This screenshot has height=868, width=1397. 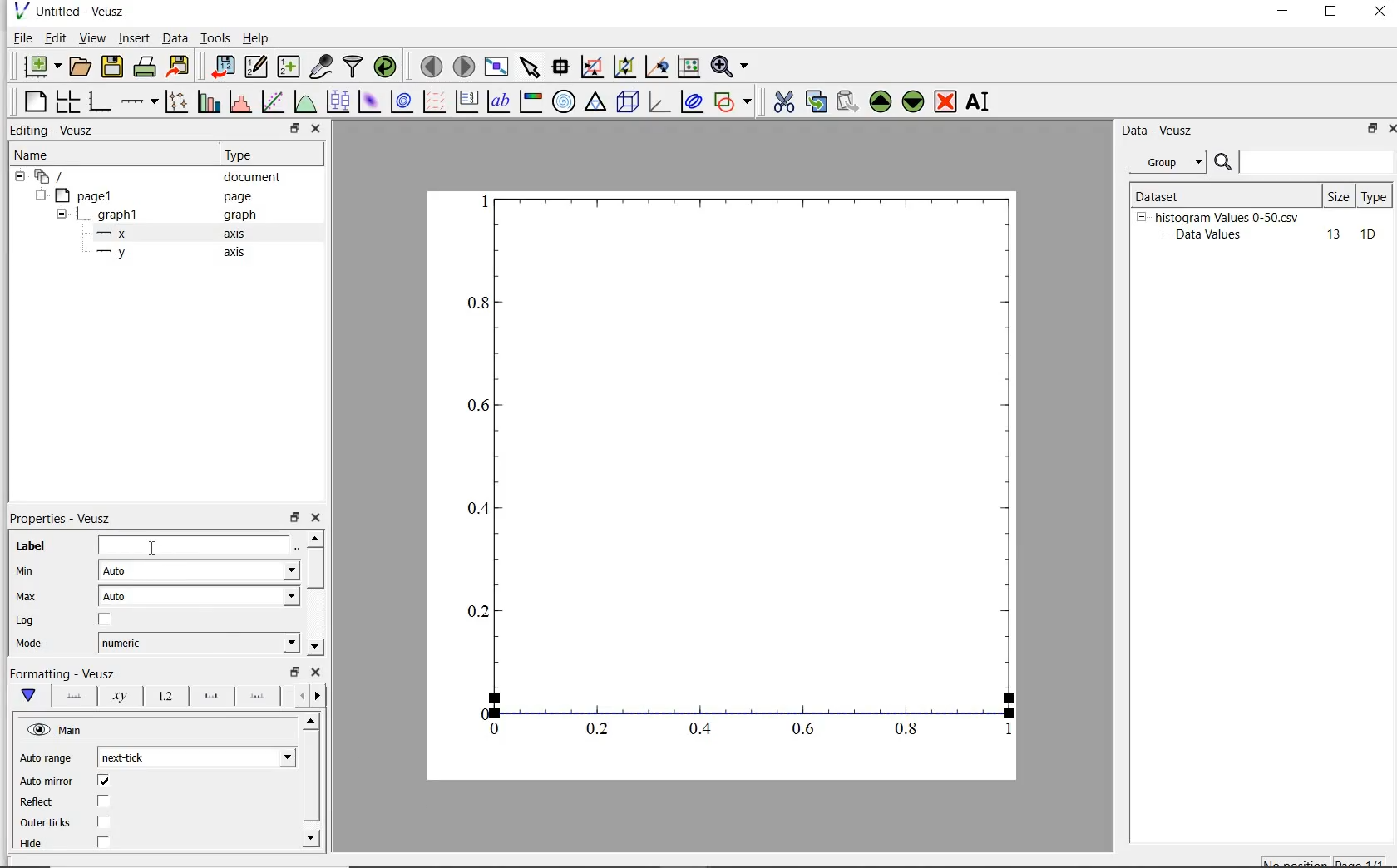 I want to click on Graph, so click(x=722, y=486).